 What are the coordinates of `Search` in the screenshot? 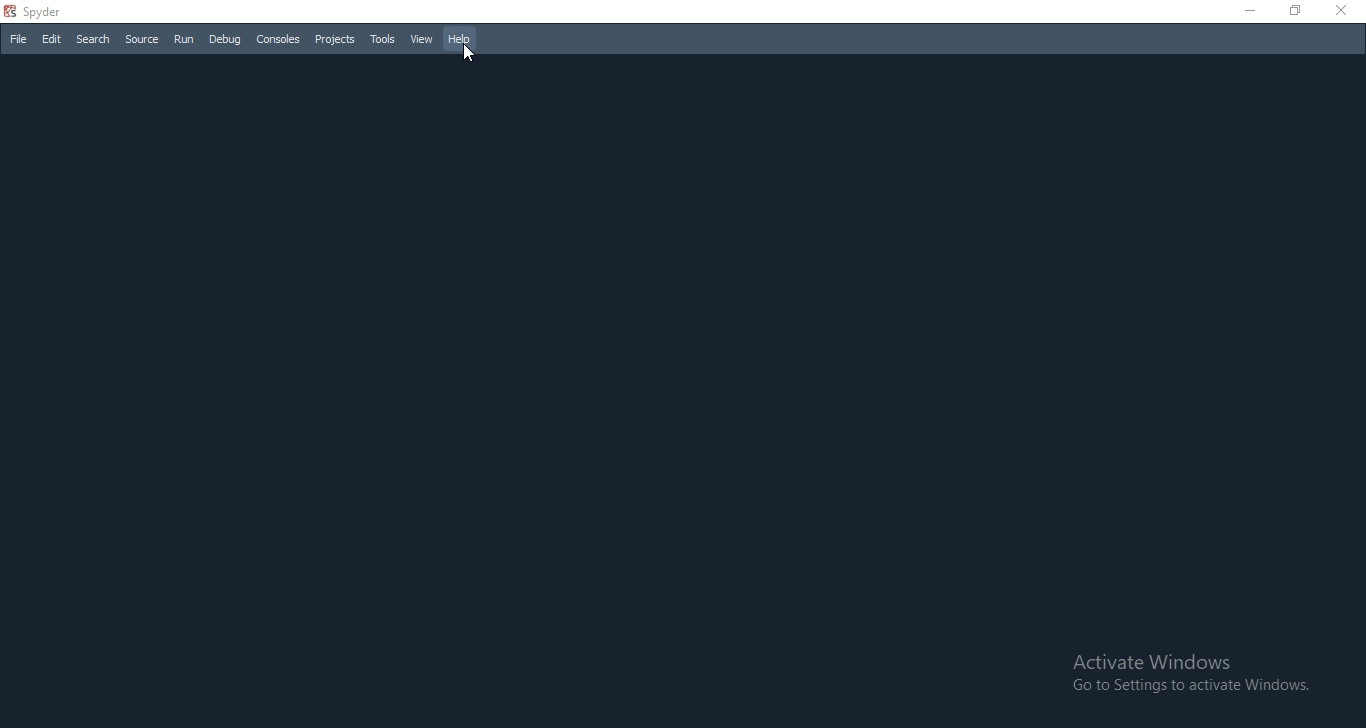 It's located at (93, 41).